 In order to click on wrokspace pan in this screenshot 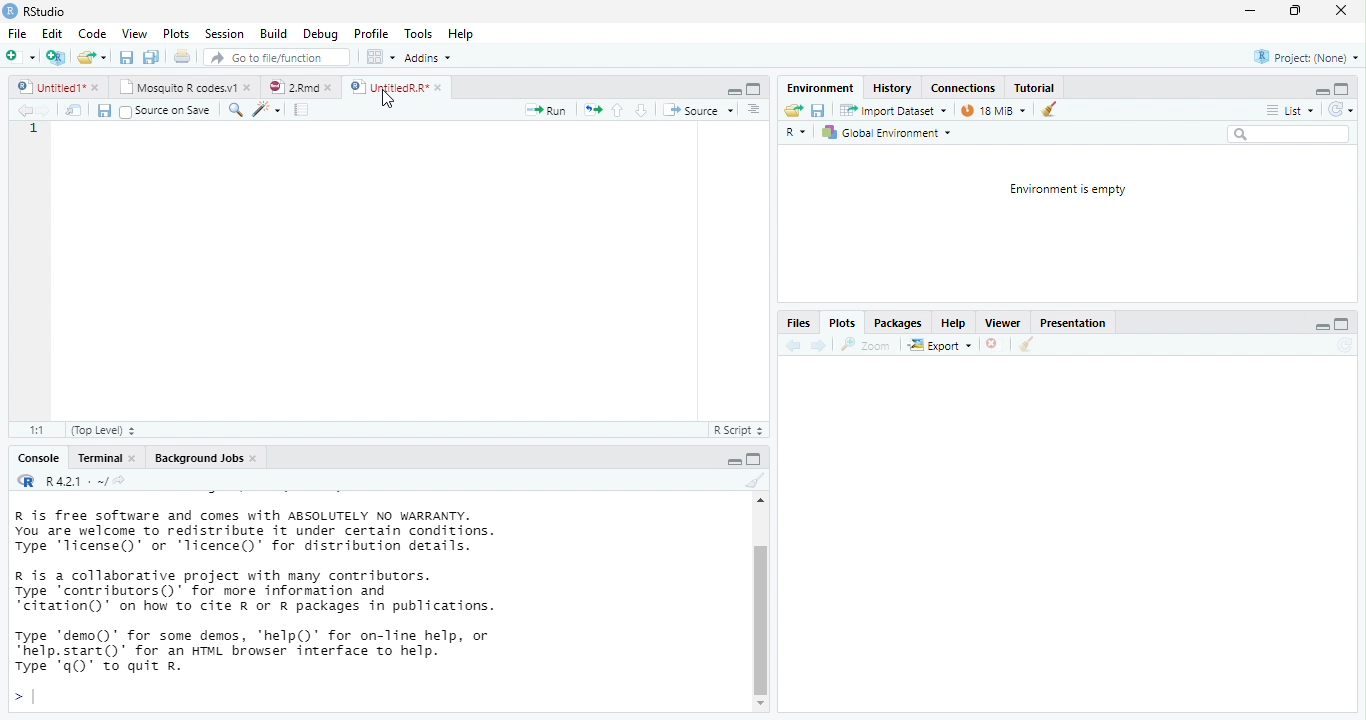, I will do `click(379, 57)`.